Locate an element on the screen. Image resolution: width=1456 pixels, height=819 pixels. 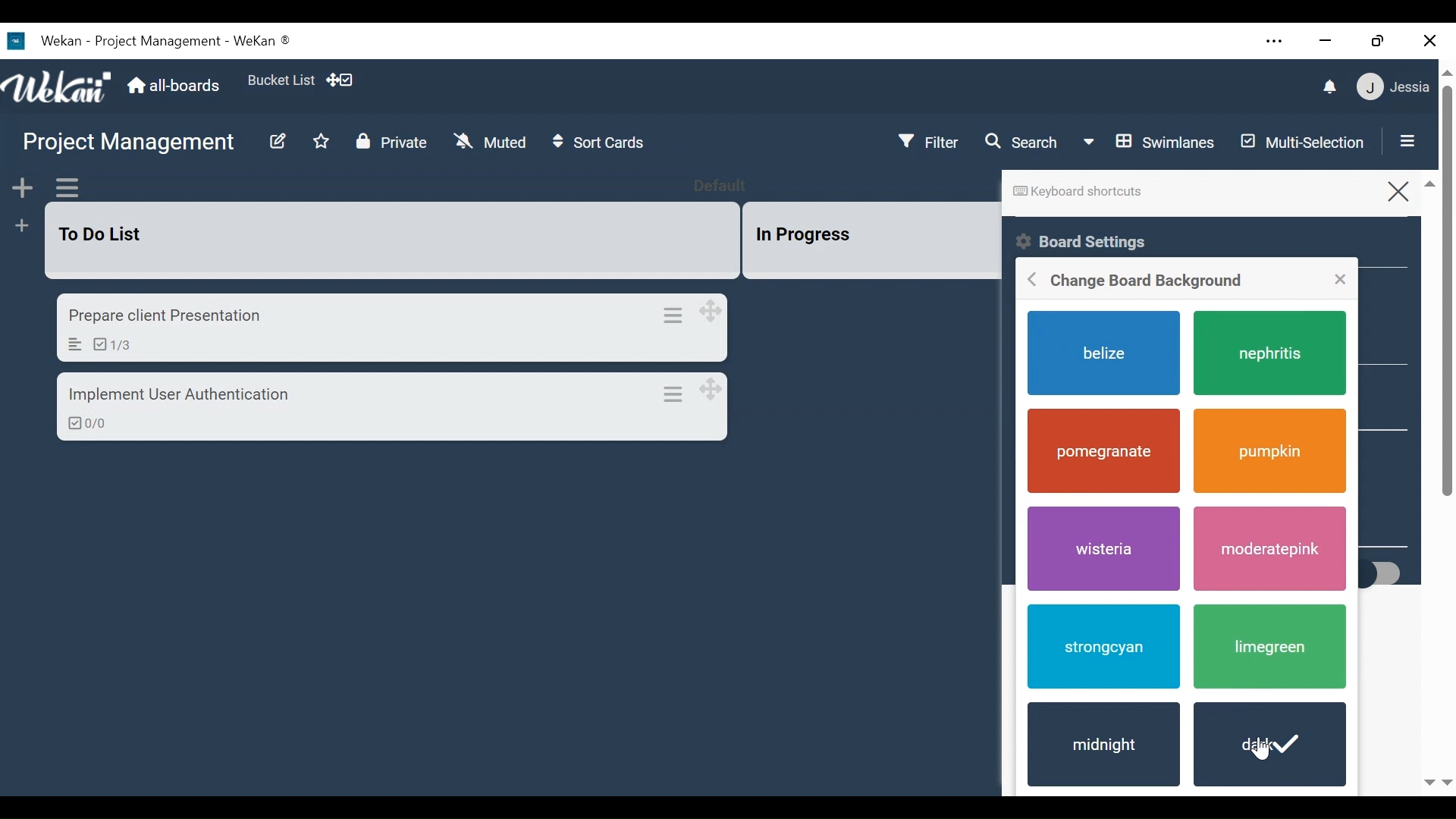
nephritis is located at coordinates (1277, 353).